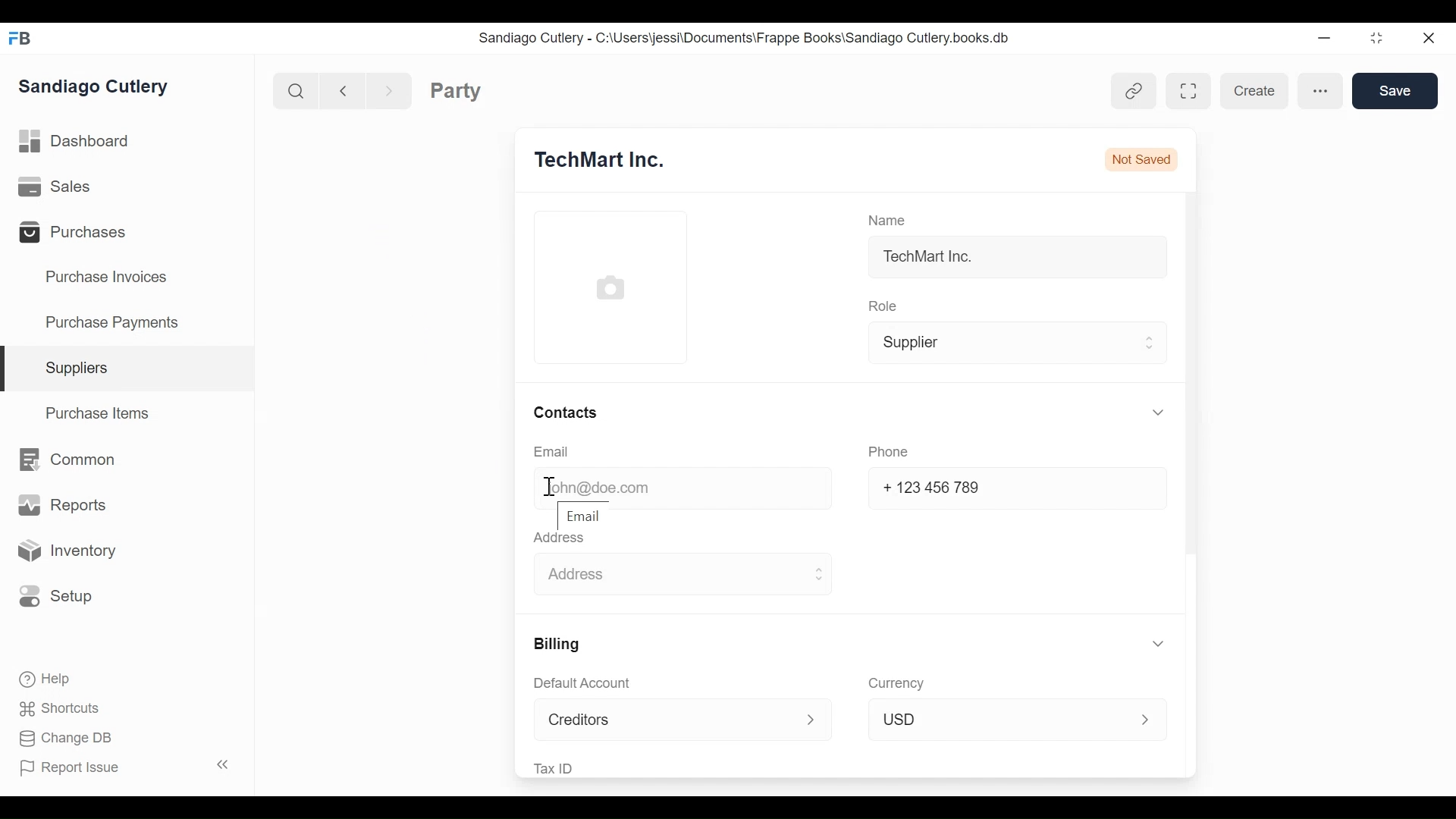 The width and height of the screenshot is (1456, 819). What do you see at coordinates (1013, 344) in the screenshot?
I see `Supplier` at bounding box center [1013, 344].